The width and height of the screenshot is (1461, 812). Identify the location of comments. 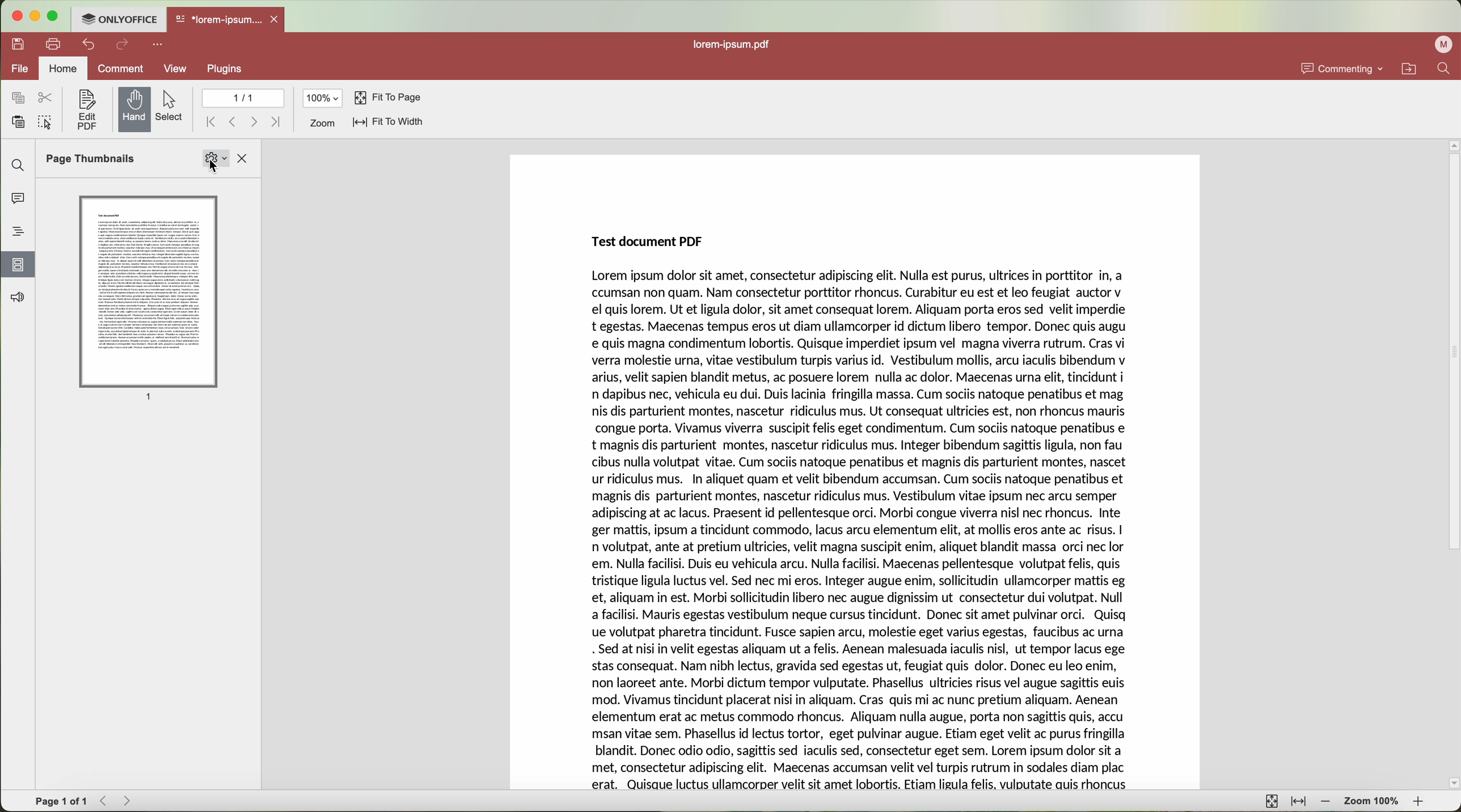
(18, 201).